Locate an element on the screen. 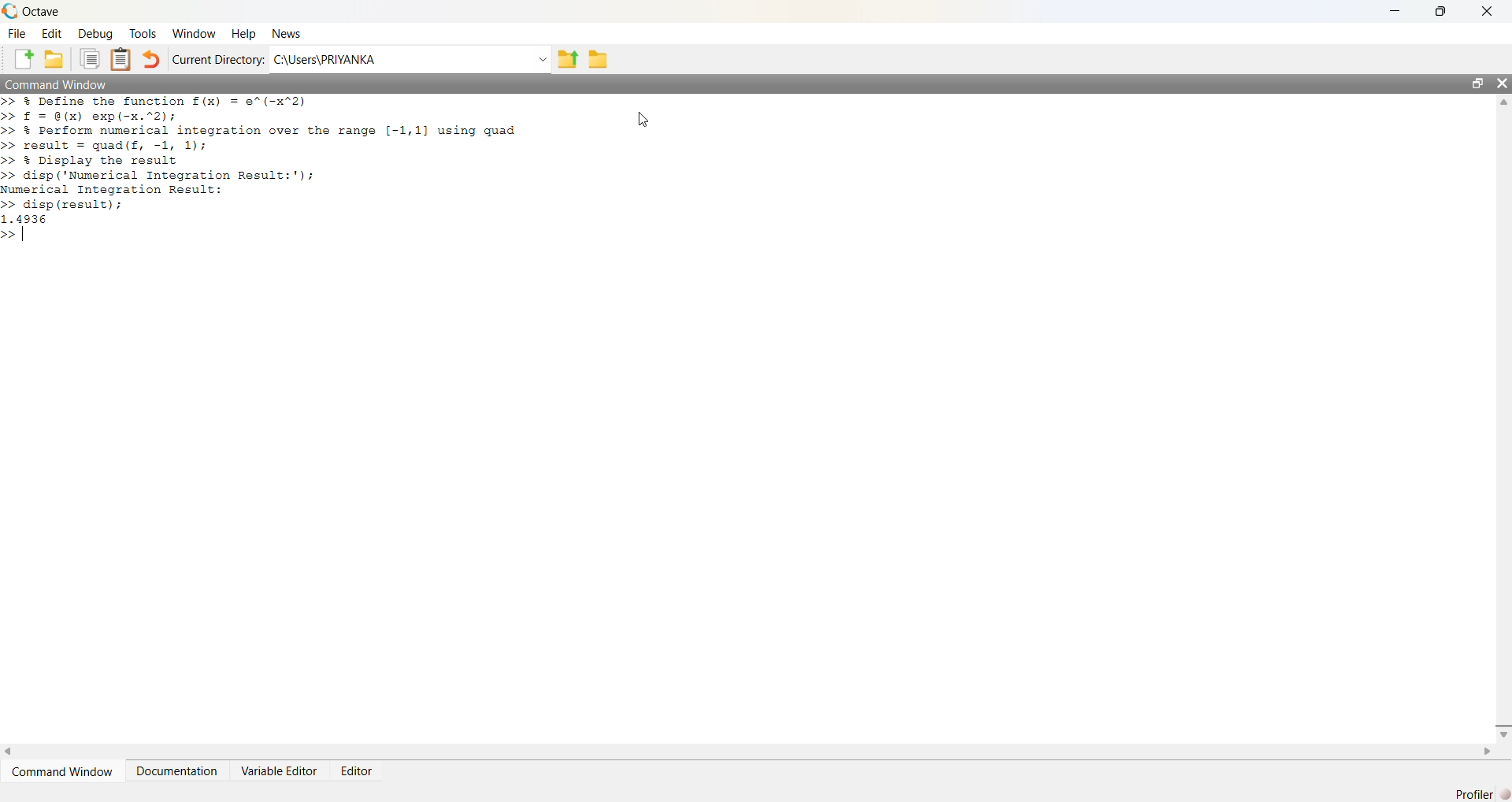 This screenshot has width=1512, height=802. horizontal scroll bar is located at coordinates (749, 751).